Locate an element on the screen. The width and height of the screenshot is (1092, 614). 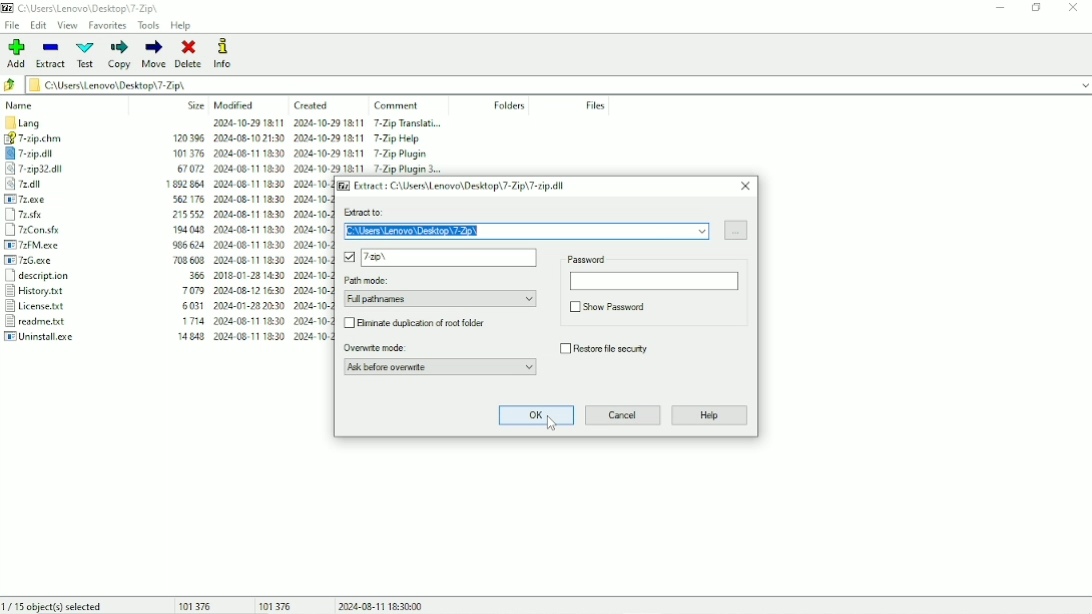
7-zip.dll is located at coordinates (57, 154).